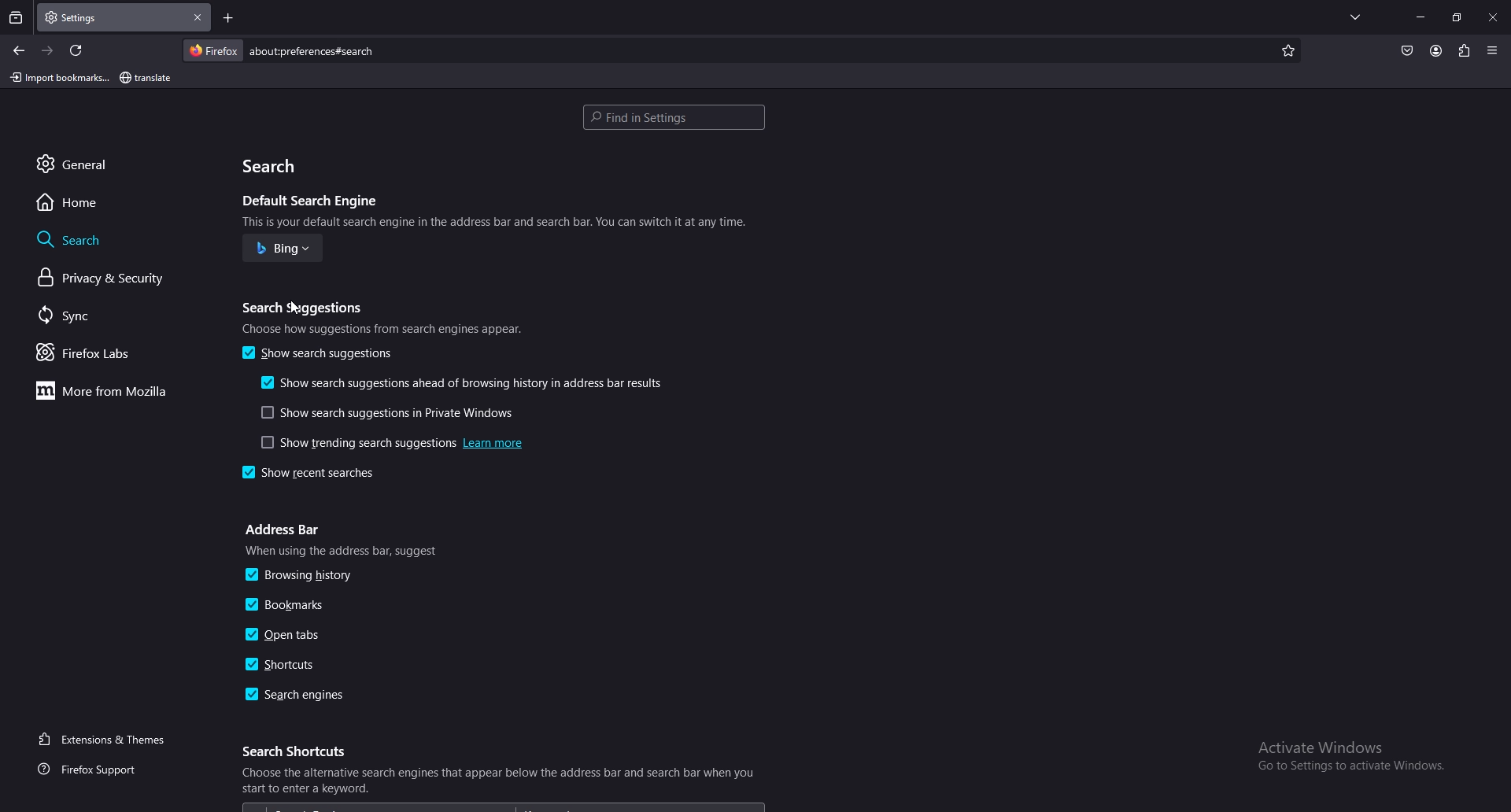 The height and width of the screenshot is (812, 1511). Describe the element at coordinates (674, 118) in the screenshot. I see `search settings` at that location.